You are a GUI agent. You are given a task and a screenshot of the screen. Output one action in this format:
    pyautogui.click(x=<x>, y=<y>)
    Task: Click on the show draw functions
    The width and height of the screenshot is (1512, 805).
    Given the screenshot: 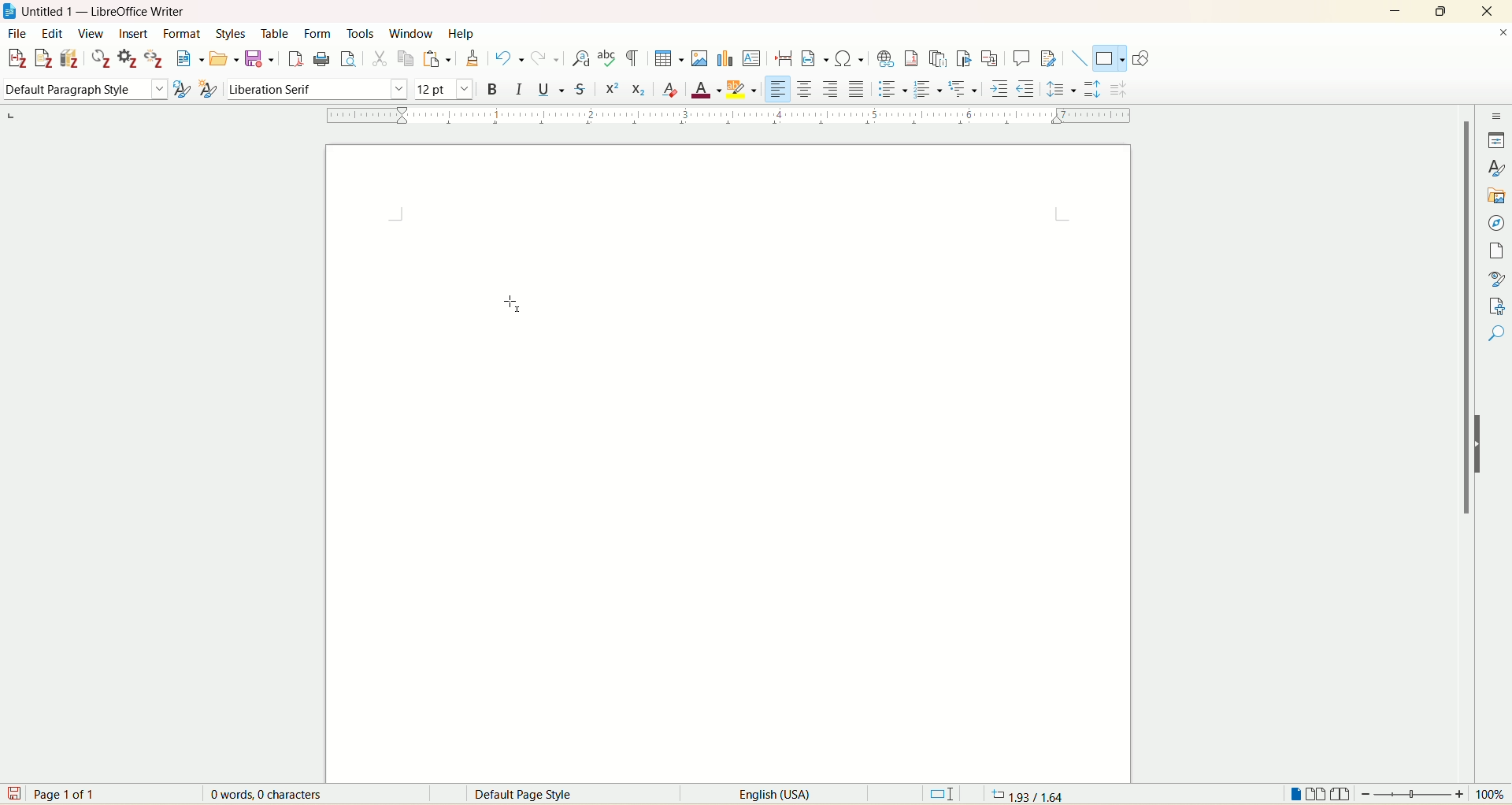 What is the action you would take?
    pyautogui.click(x=1143, y=57)
    